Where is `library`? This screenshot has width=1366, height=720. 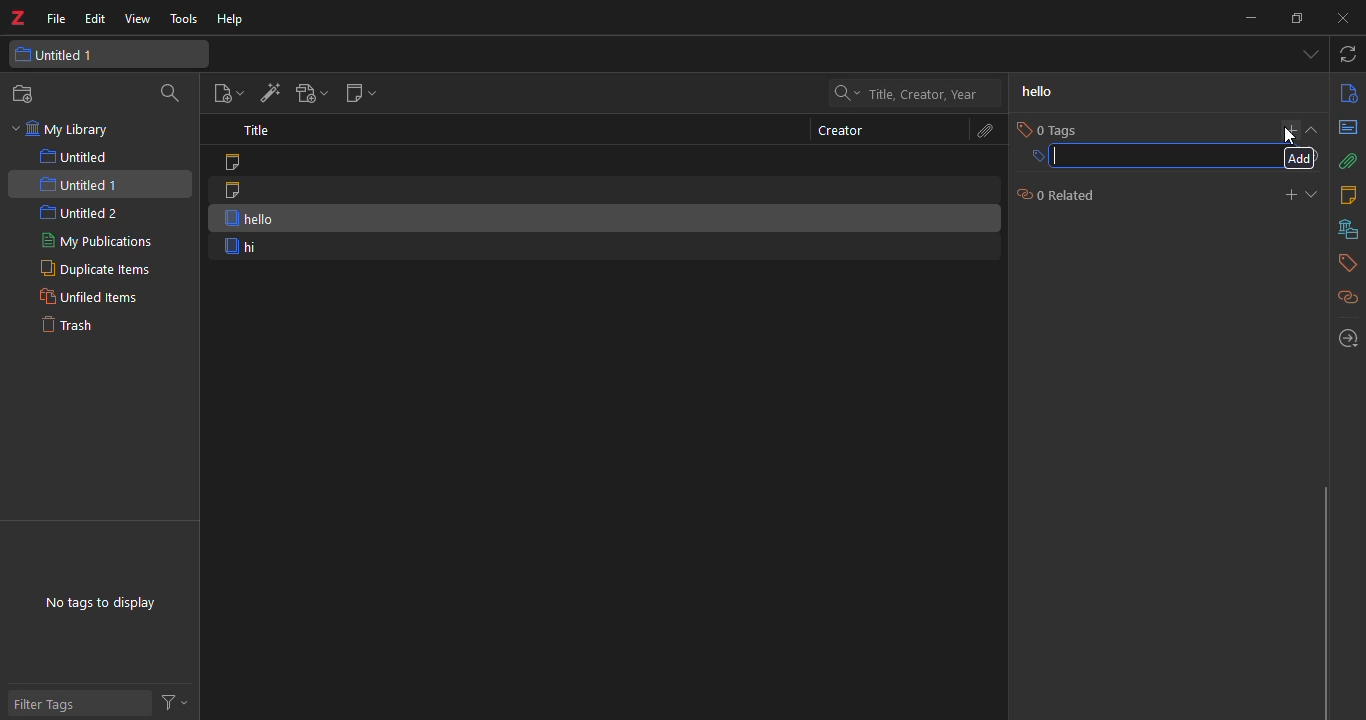
library is located at coordinates (1345, 229).